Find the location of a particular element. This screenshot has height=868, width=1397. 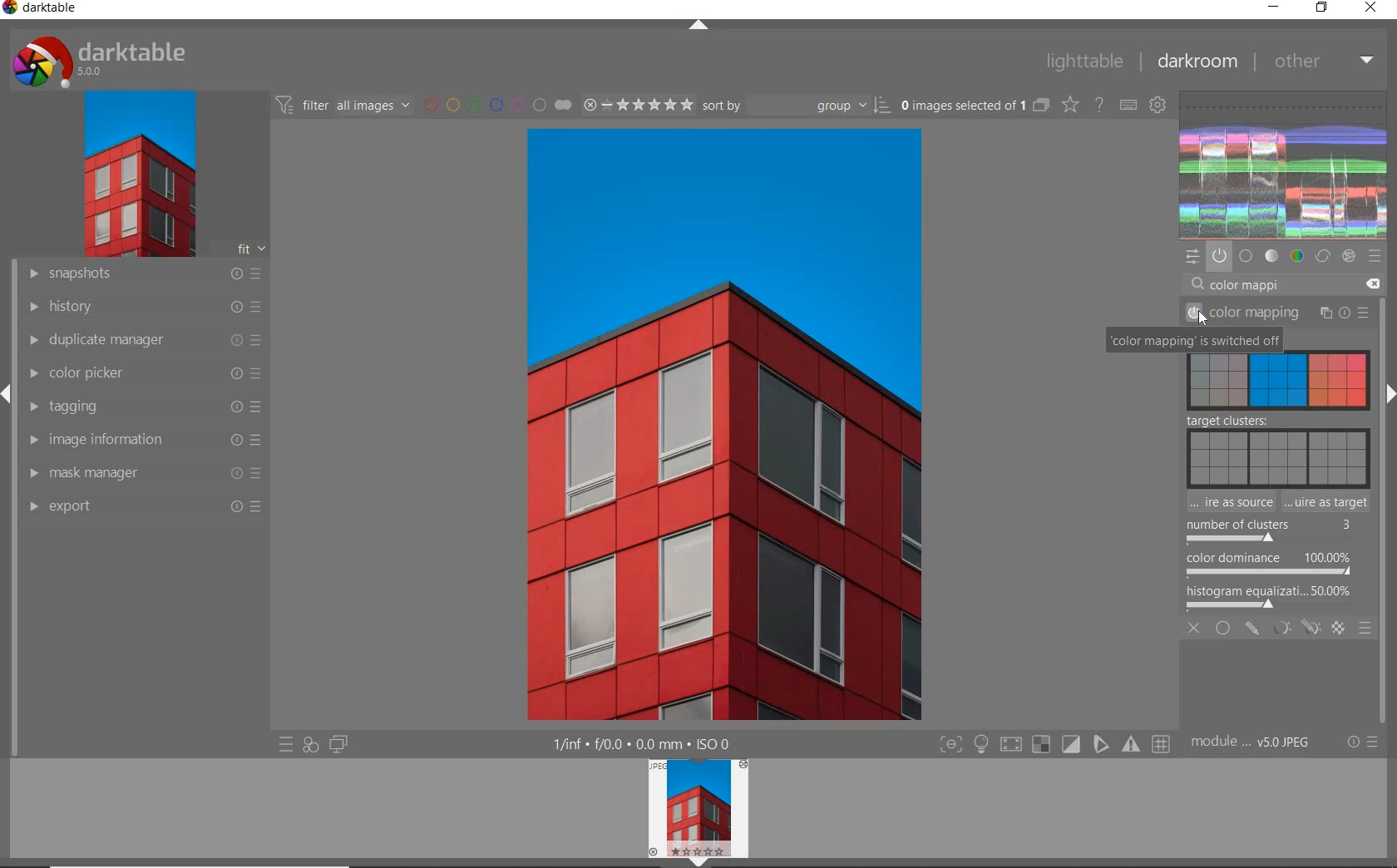

TARGET CLUSTERS is located at coordinates (1274, 449).